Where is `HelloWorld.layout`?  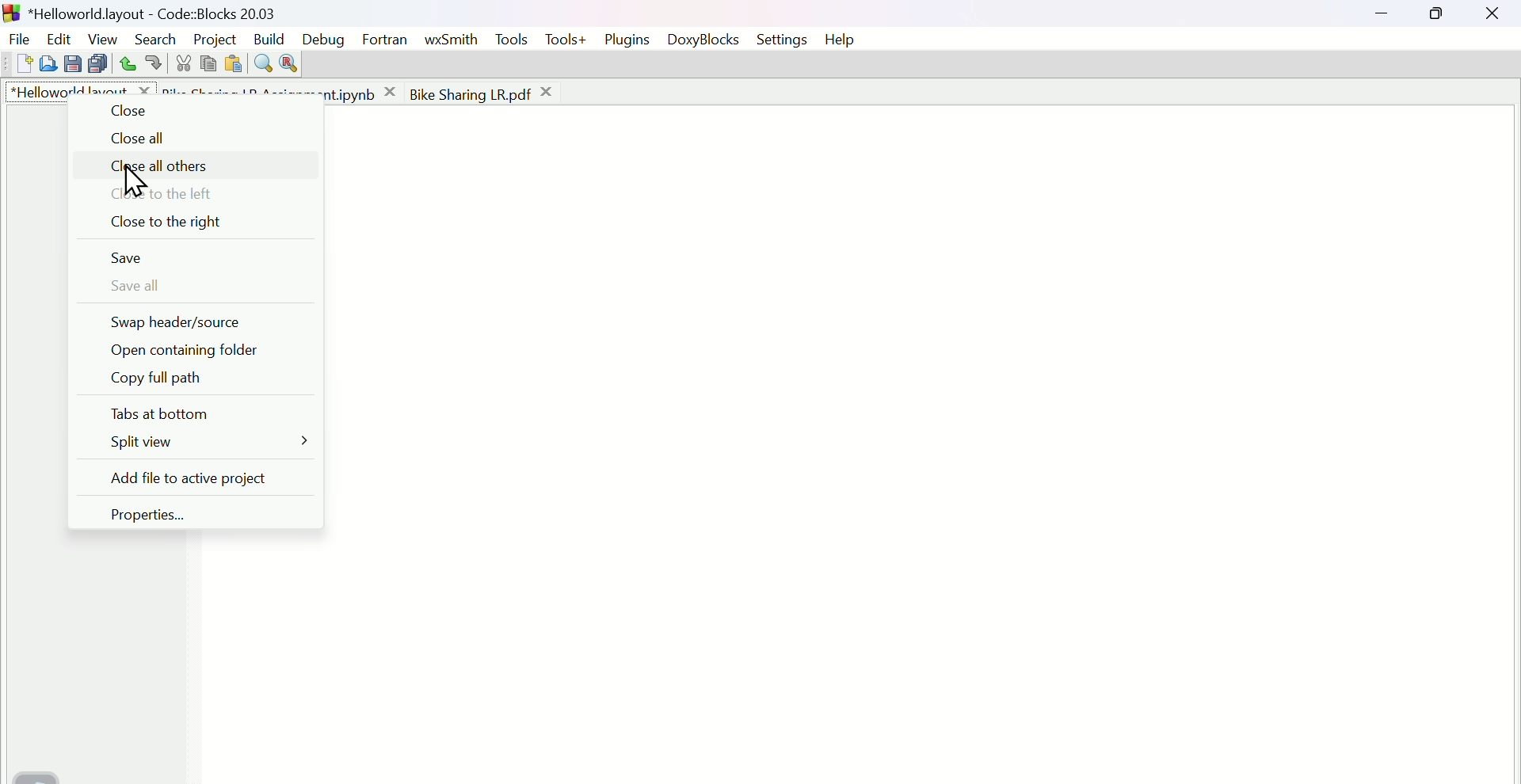 HelloWorld.layout is located at coordinates (83, 91).